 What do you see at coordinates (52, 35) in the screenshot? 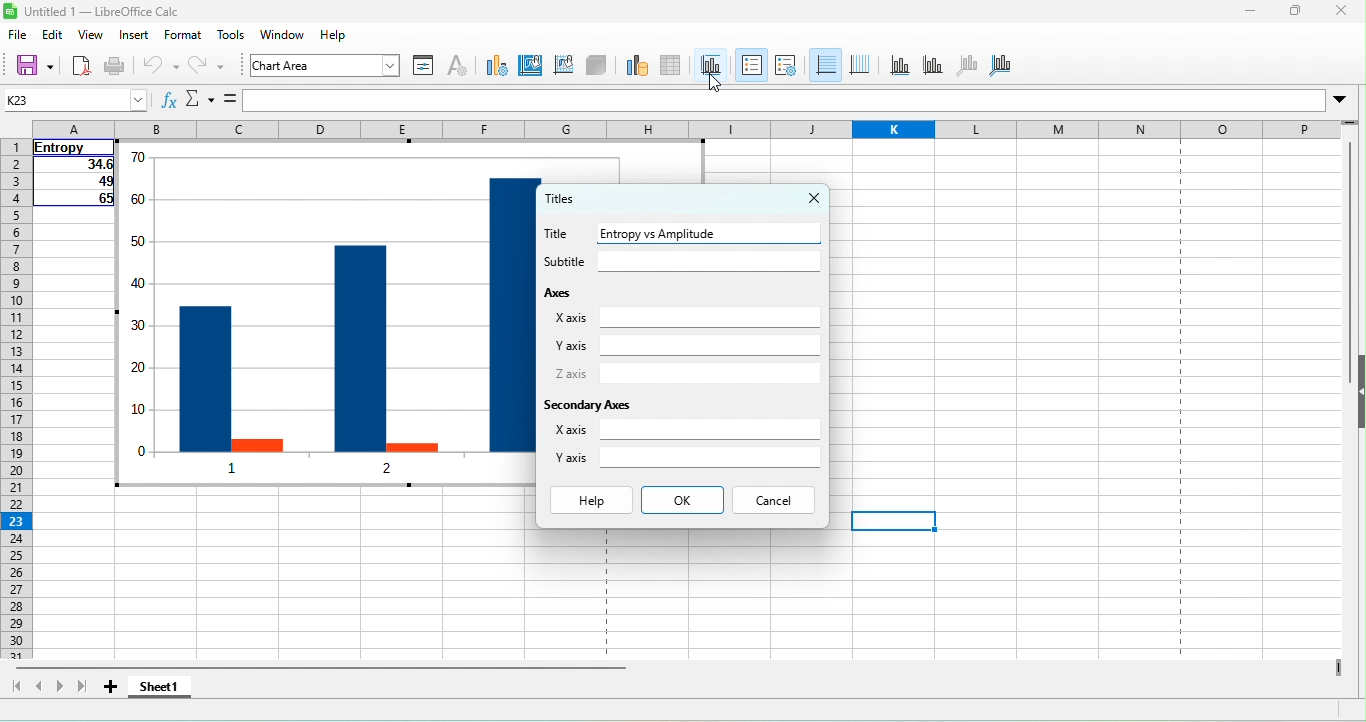
I see `edit` at bounding box center [52, 35].